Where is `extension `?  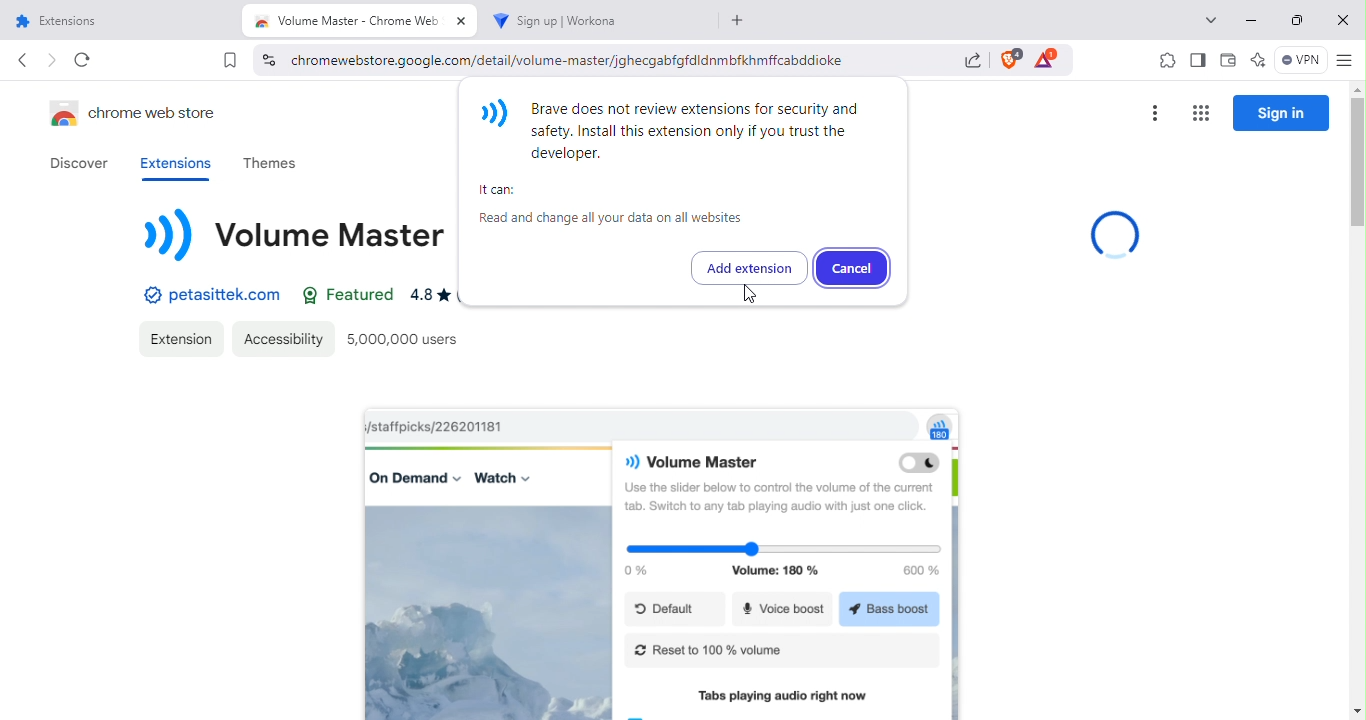
extension  is located at coordinates (180, 338).